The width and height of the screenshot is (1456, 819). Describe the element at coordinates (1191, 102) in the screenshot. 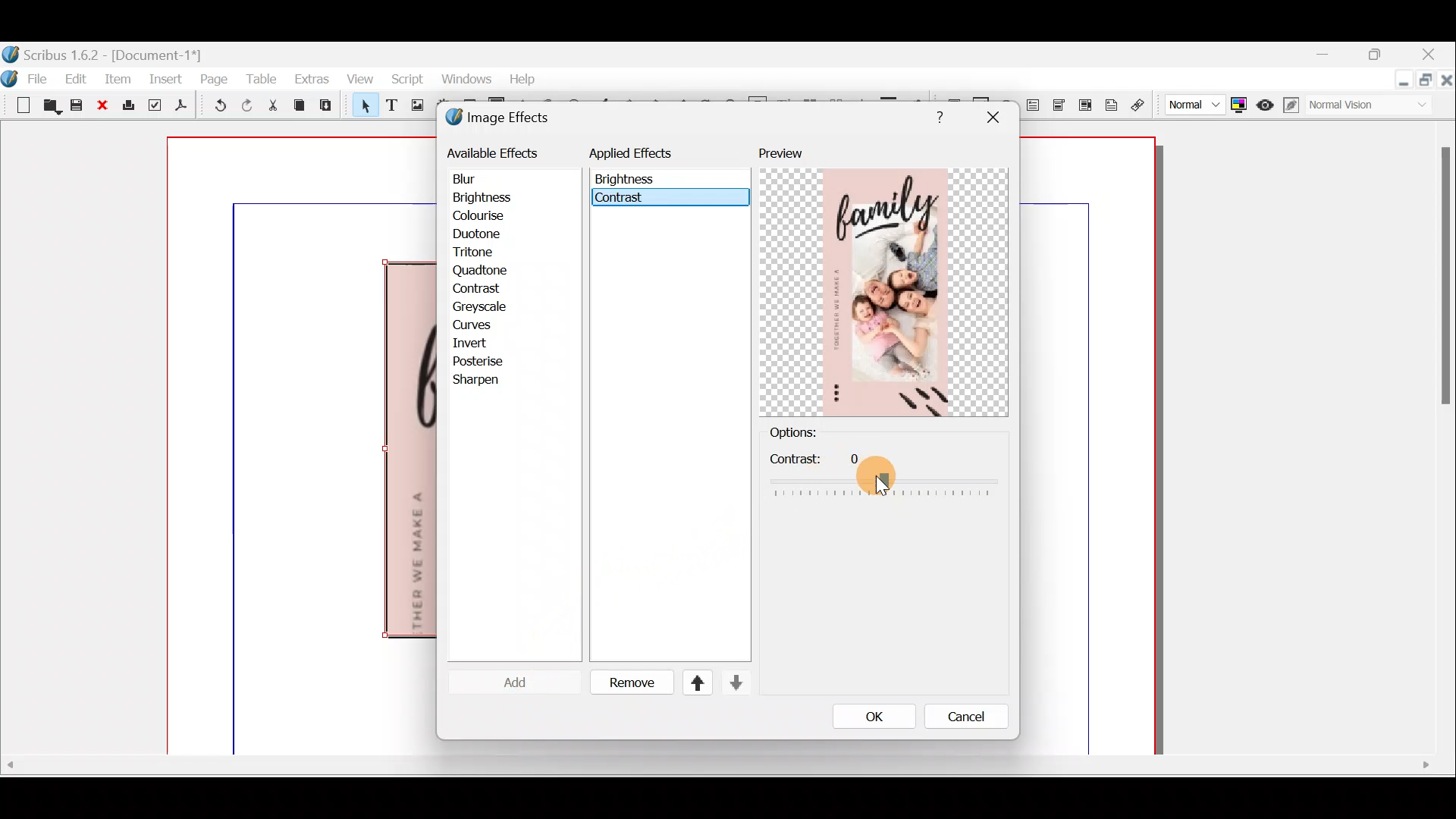

I see `Select image preview quality` at that location.